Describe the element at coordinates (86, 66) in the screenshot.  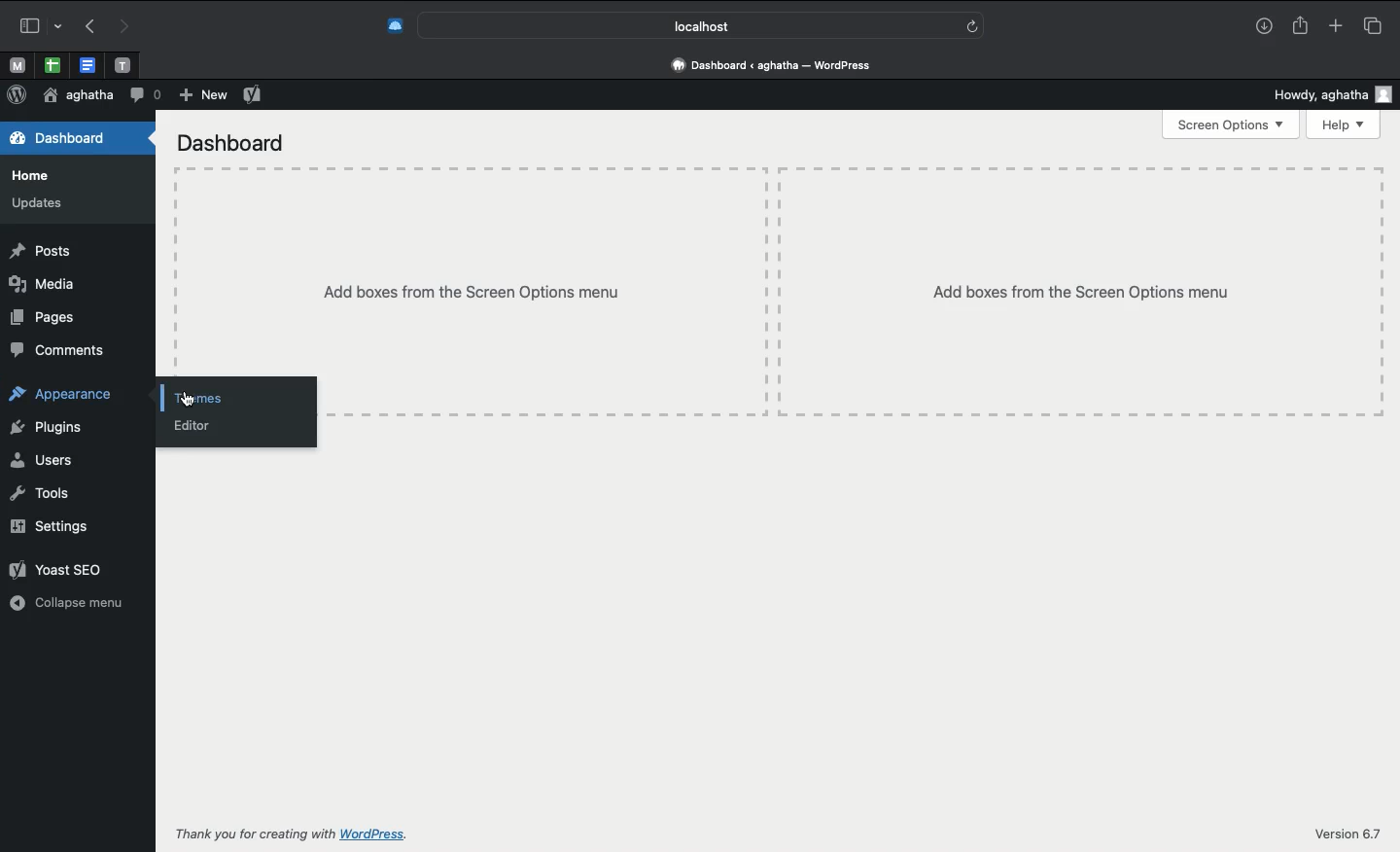
I see `open tab, google docs` at that location.